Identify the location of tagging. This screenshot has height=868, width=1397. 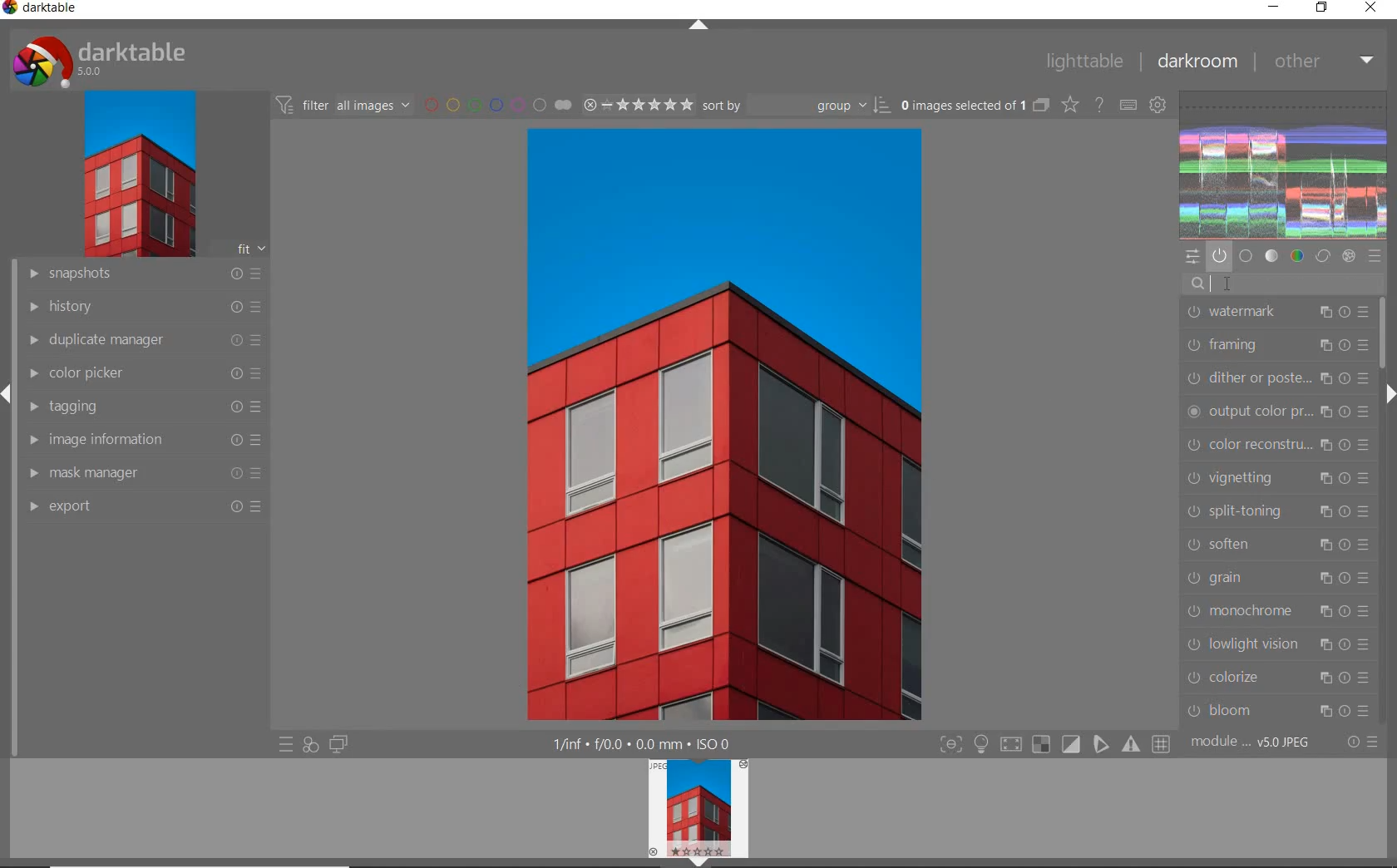
(143, 407).